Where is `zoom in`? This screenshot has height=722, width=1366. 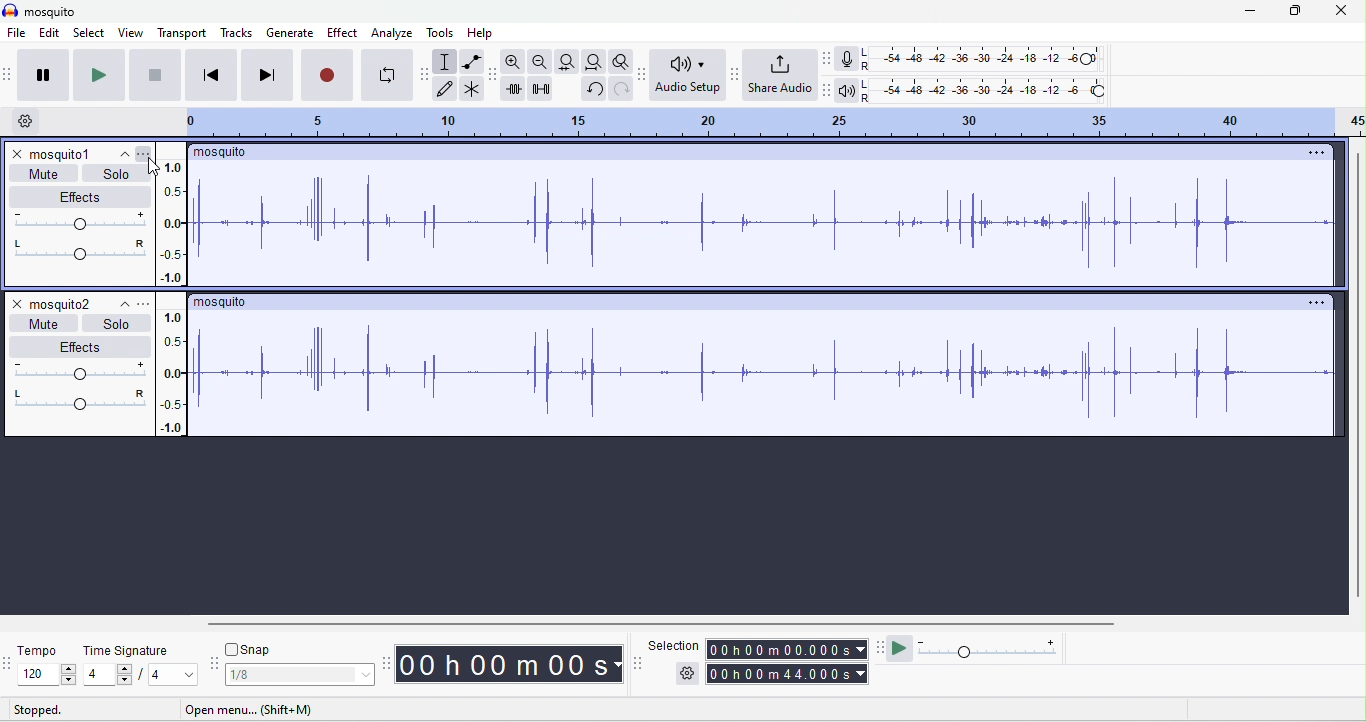 zoom in is located at coordinates (514, 62).